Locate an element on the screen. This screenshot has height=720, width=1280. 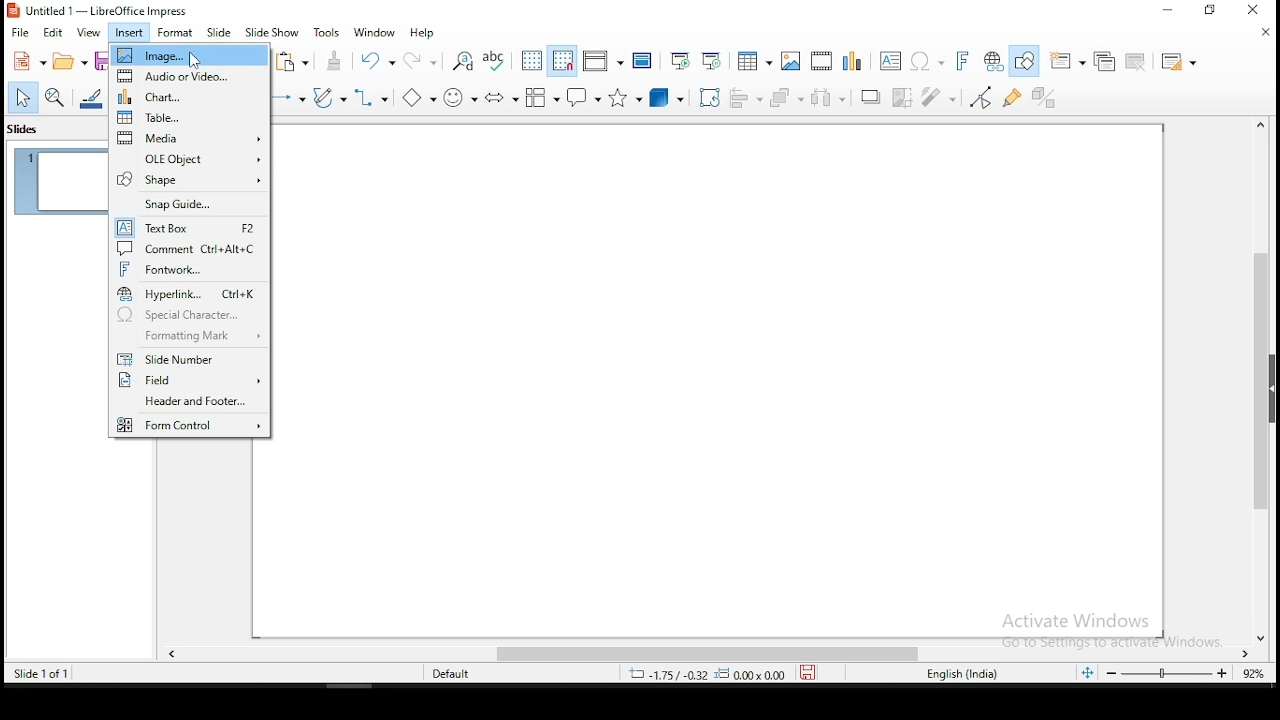
display views is located at coordinates (604, 59).